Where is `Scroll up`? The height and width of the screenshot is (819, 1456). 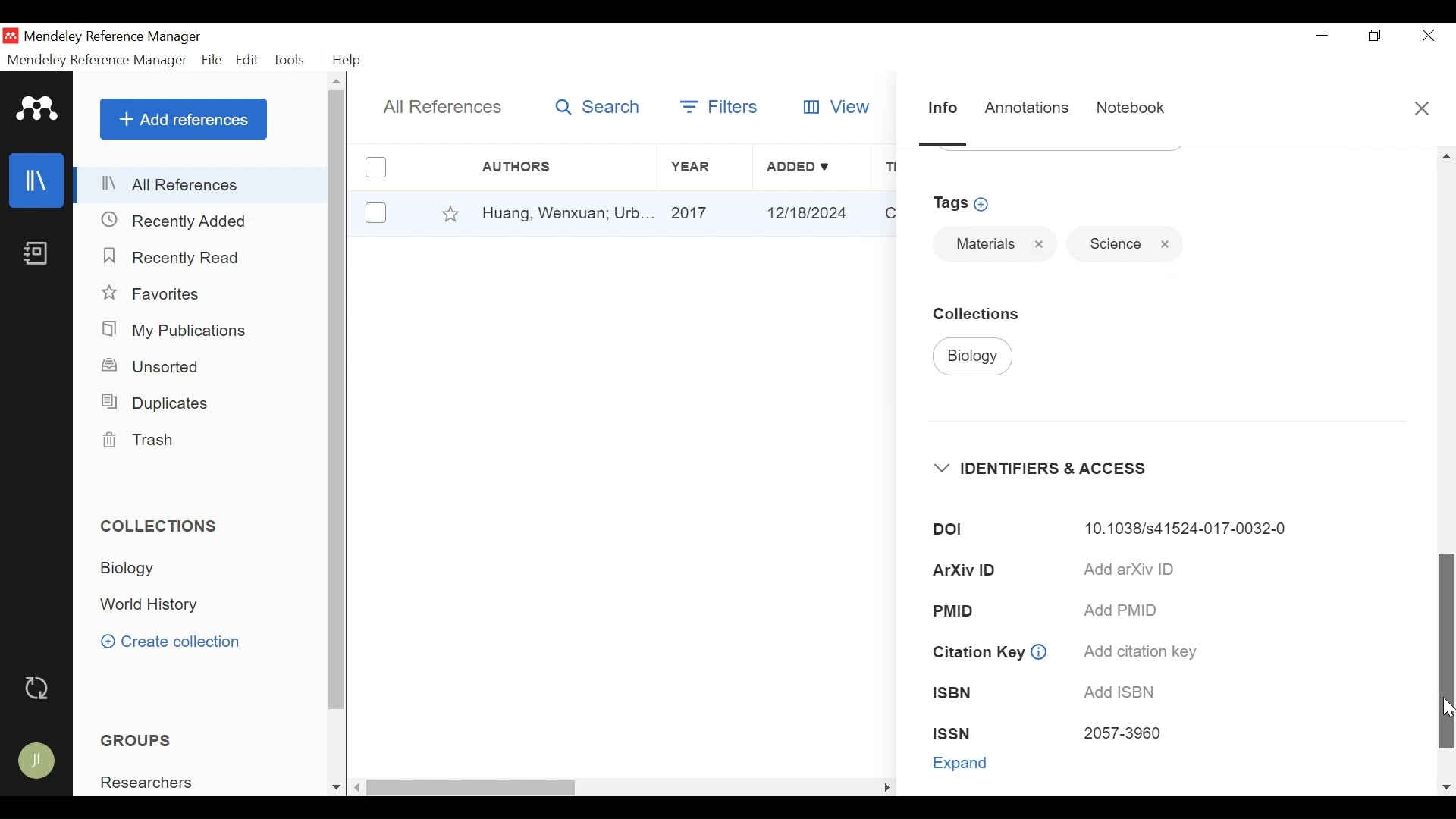
Scroll up is located at coordinates (1446, 155).